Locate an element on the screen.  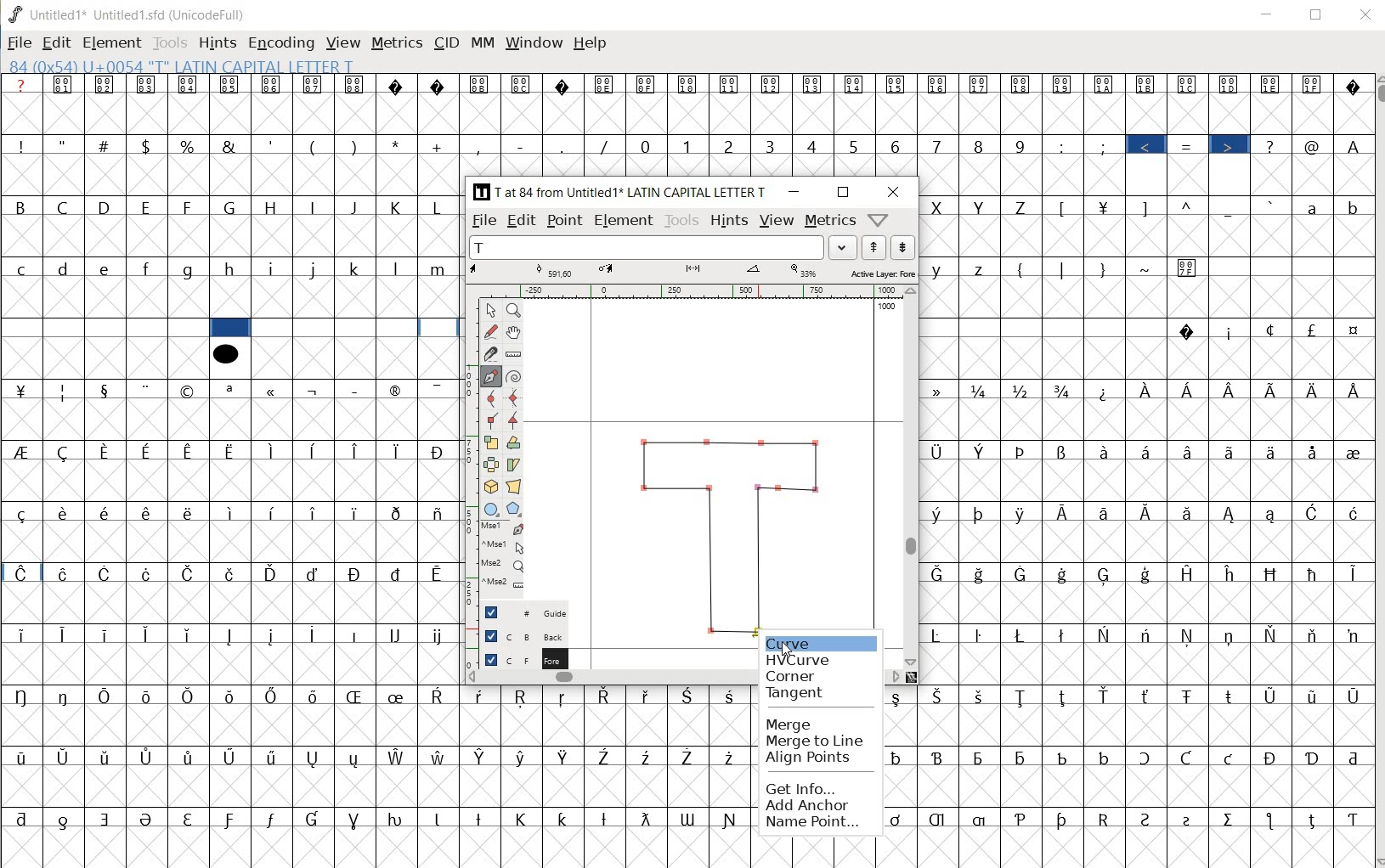
1000 is located at coordinates (887, 306).